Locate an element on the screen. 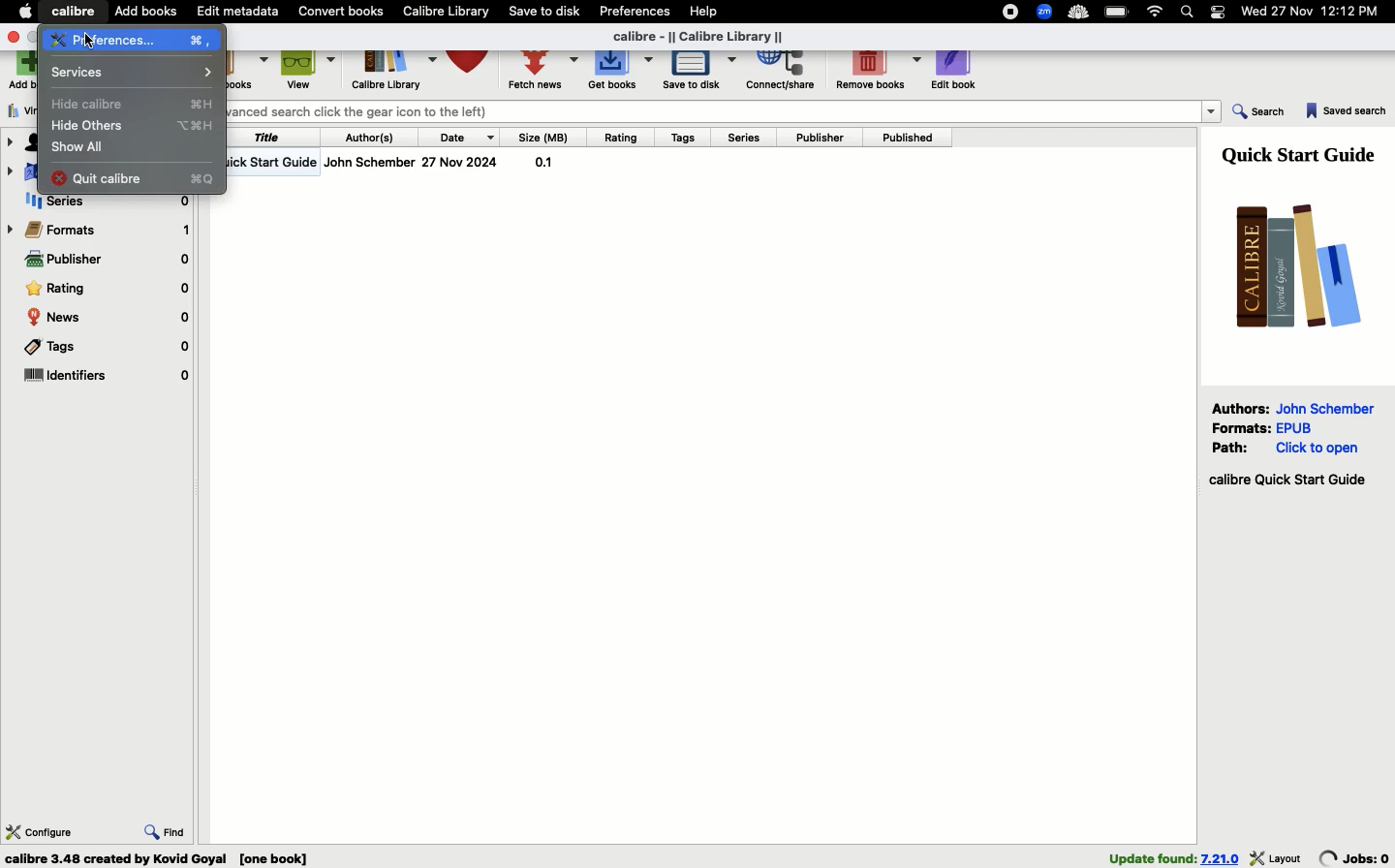 The width and height of the screenshot is (1395, 868). Formats is located at coordinates (1242, 426).